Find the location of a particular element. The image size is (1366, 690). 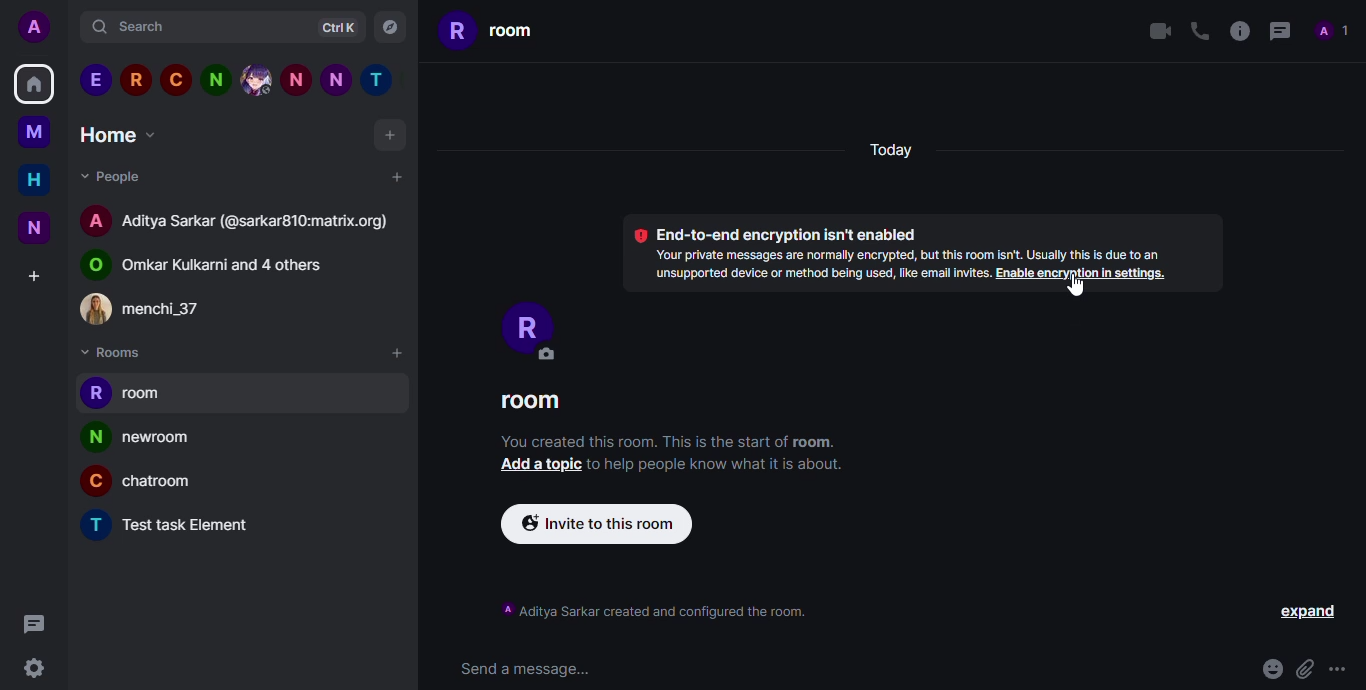

Contact shortcut is located at coordinates (333, 78).